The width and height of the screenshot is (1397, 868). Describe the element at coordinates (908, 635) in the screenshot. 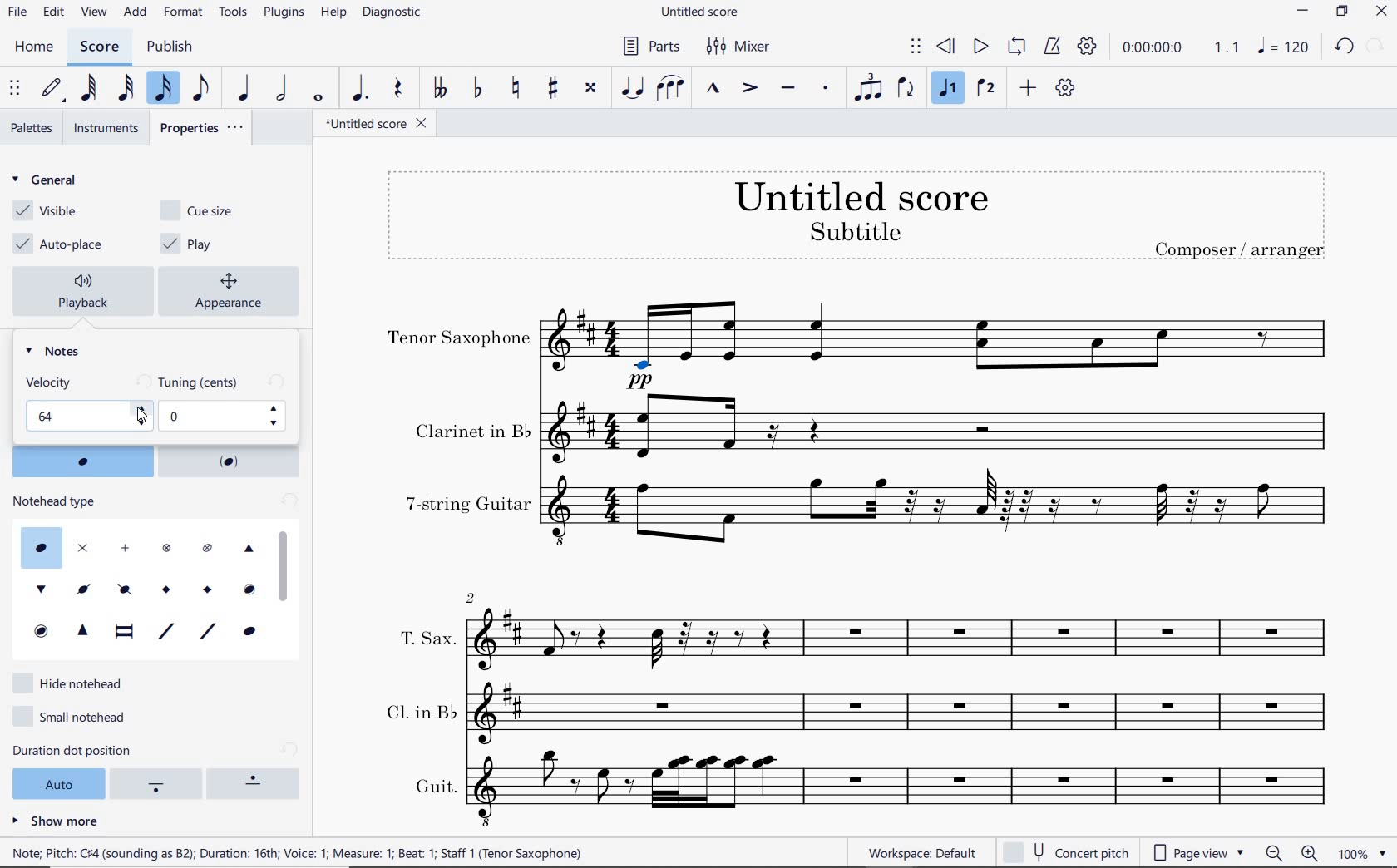

I see `t.sax.` at that location.